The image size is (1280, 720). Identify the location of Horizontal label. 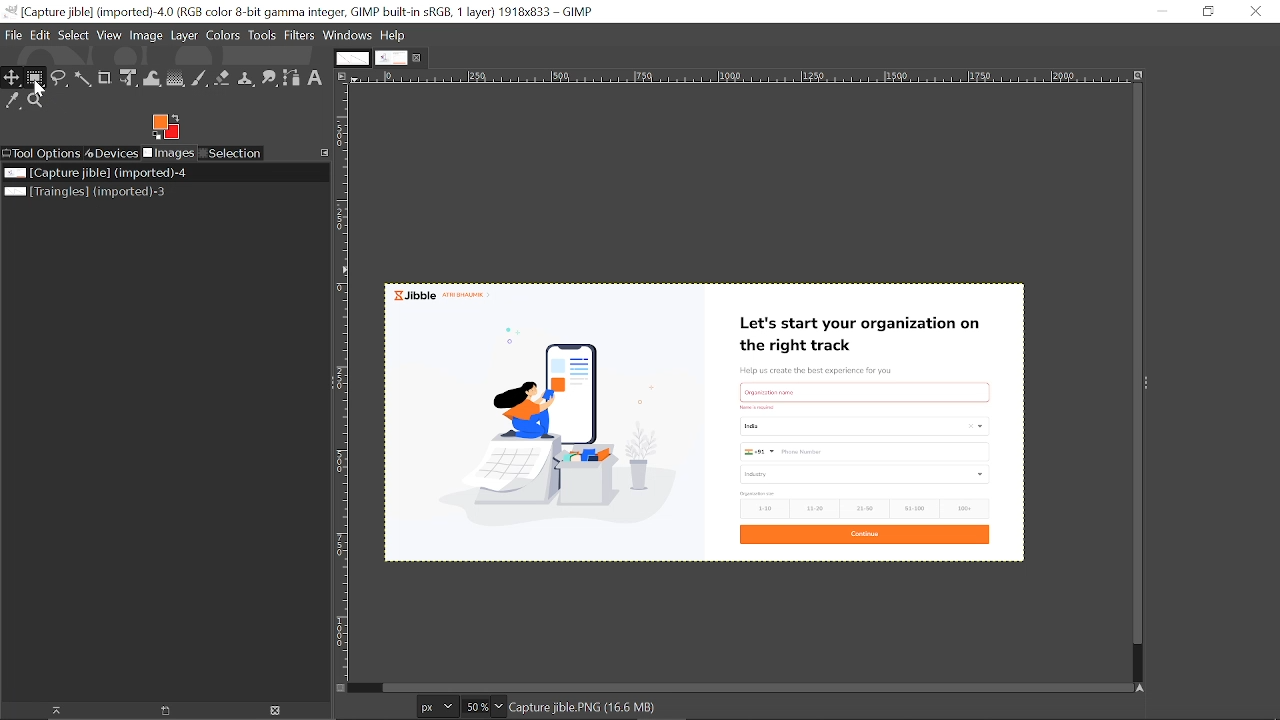
(647, 77).